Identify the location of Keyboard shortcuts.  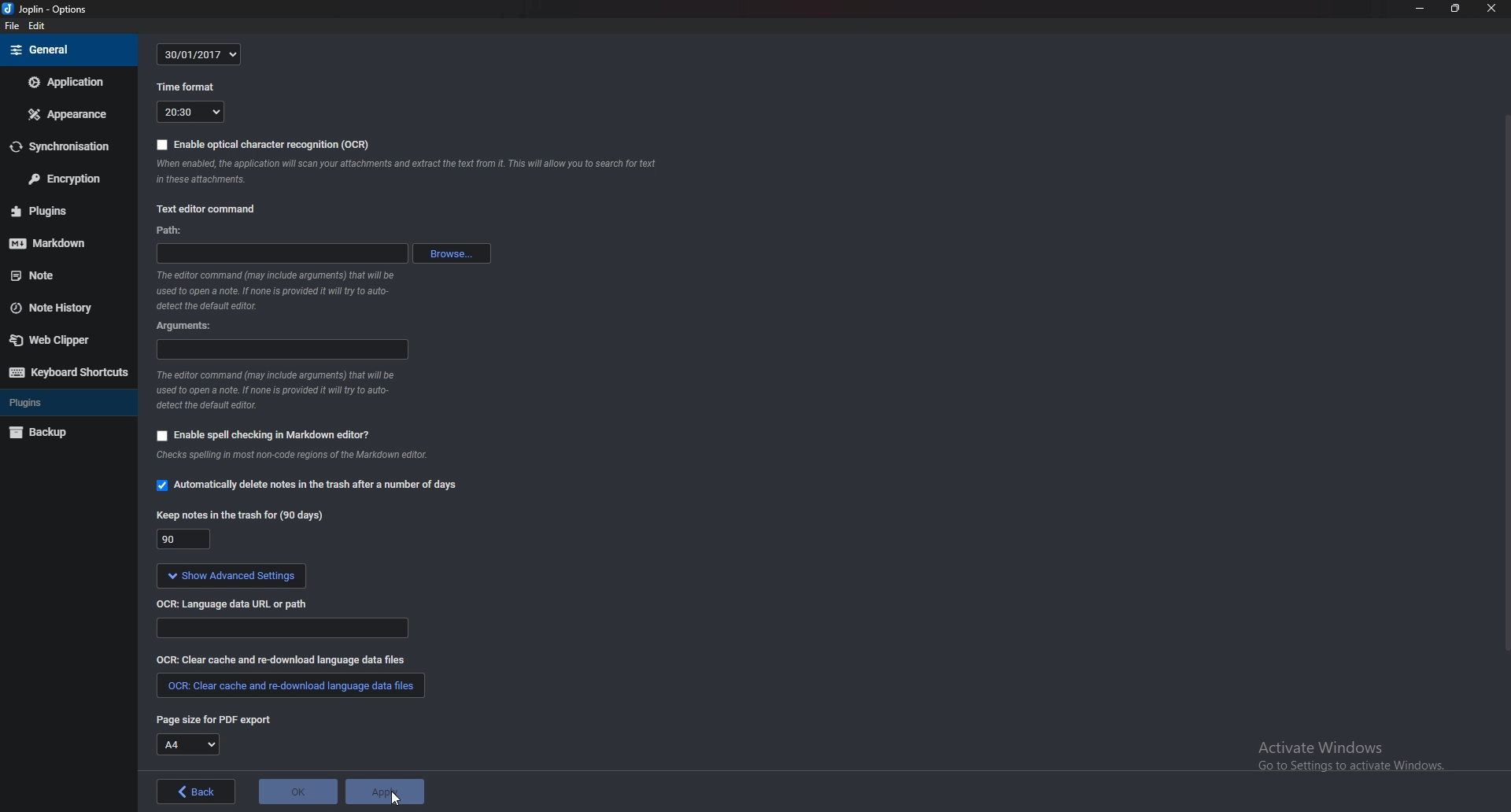
(68, 372).